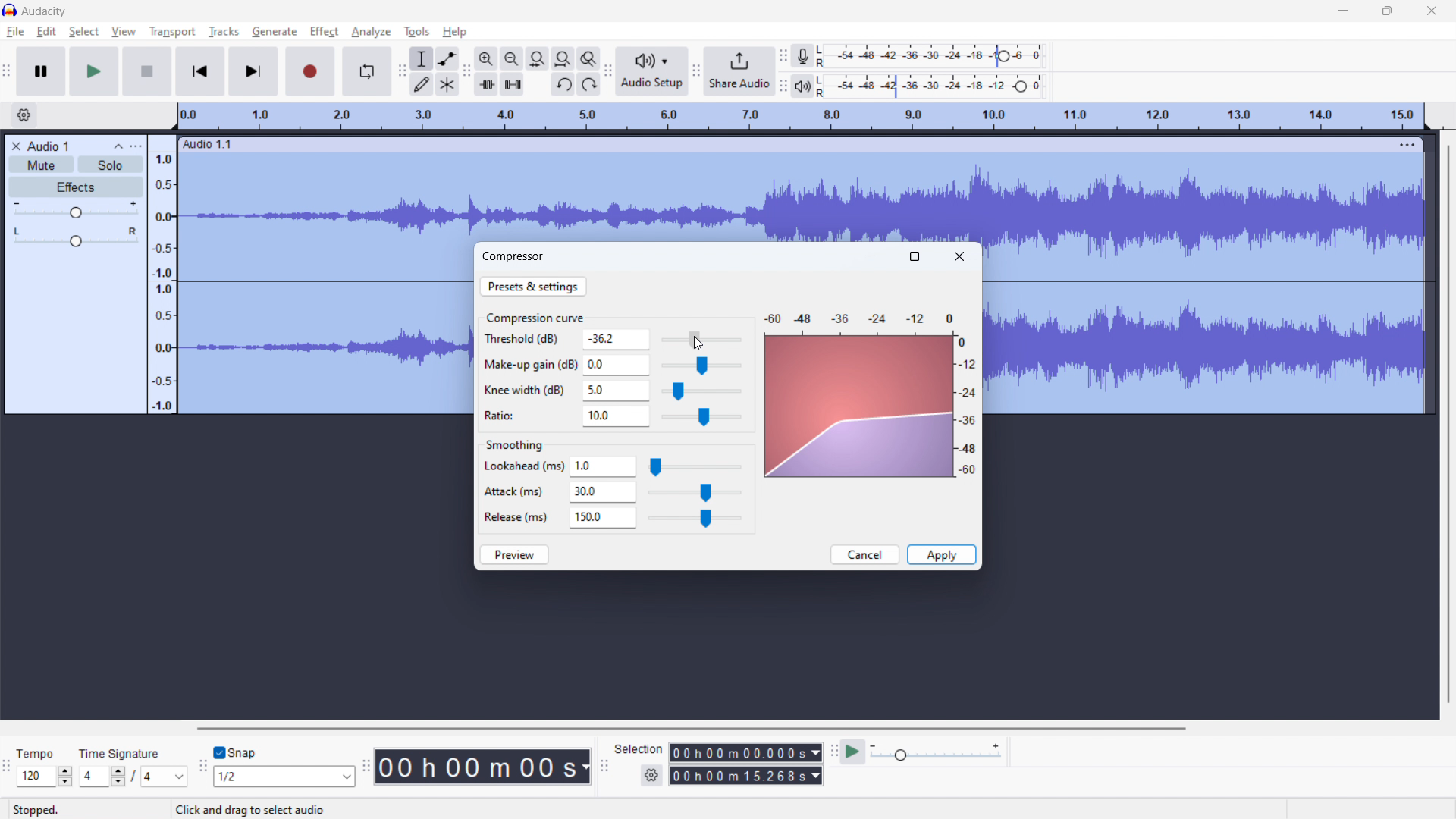  I want to click on silence audio selection, so click(512, 84).